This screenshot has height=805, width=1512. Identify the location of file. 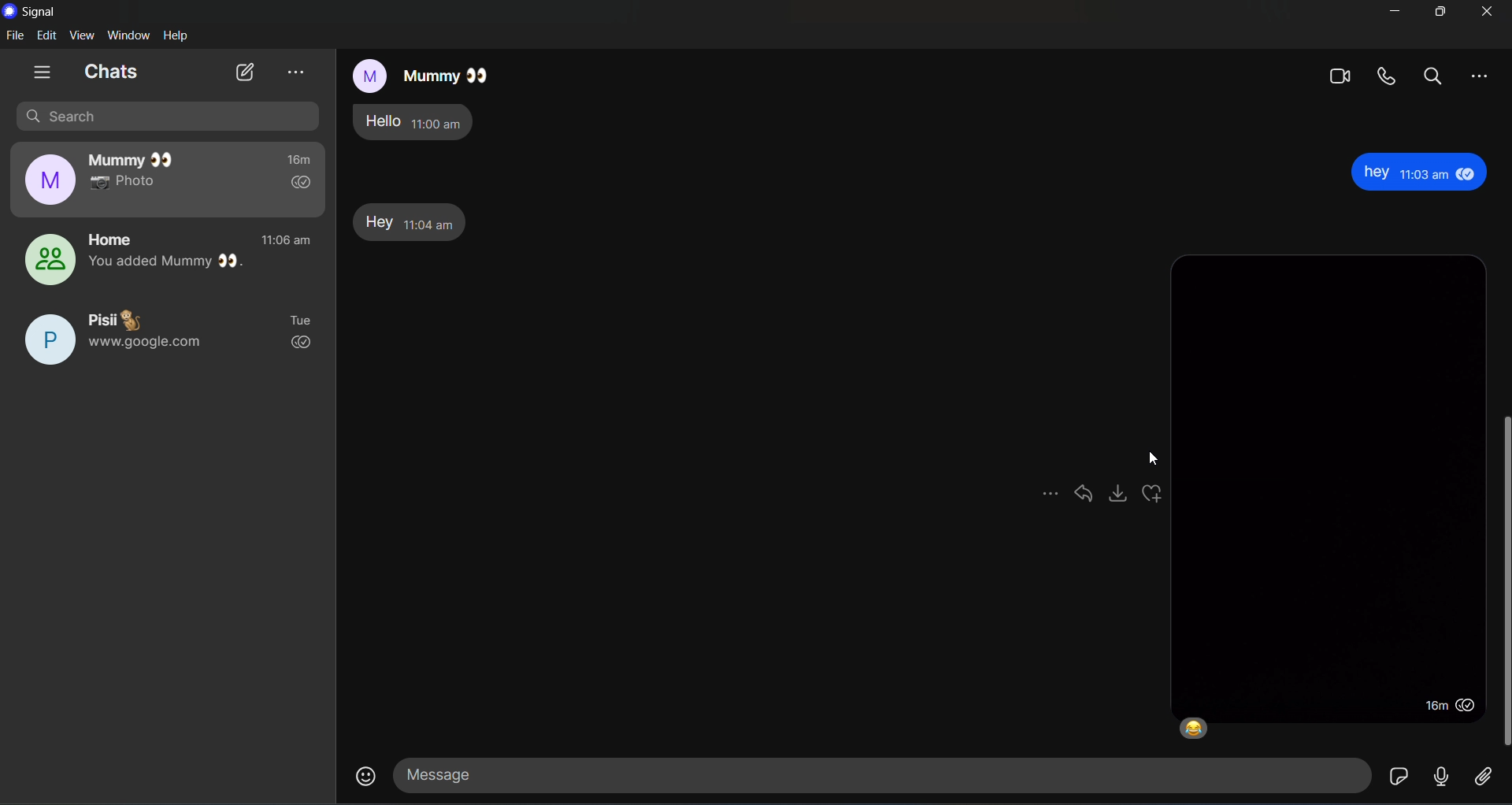
(15, 36).